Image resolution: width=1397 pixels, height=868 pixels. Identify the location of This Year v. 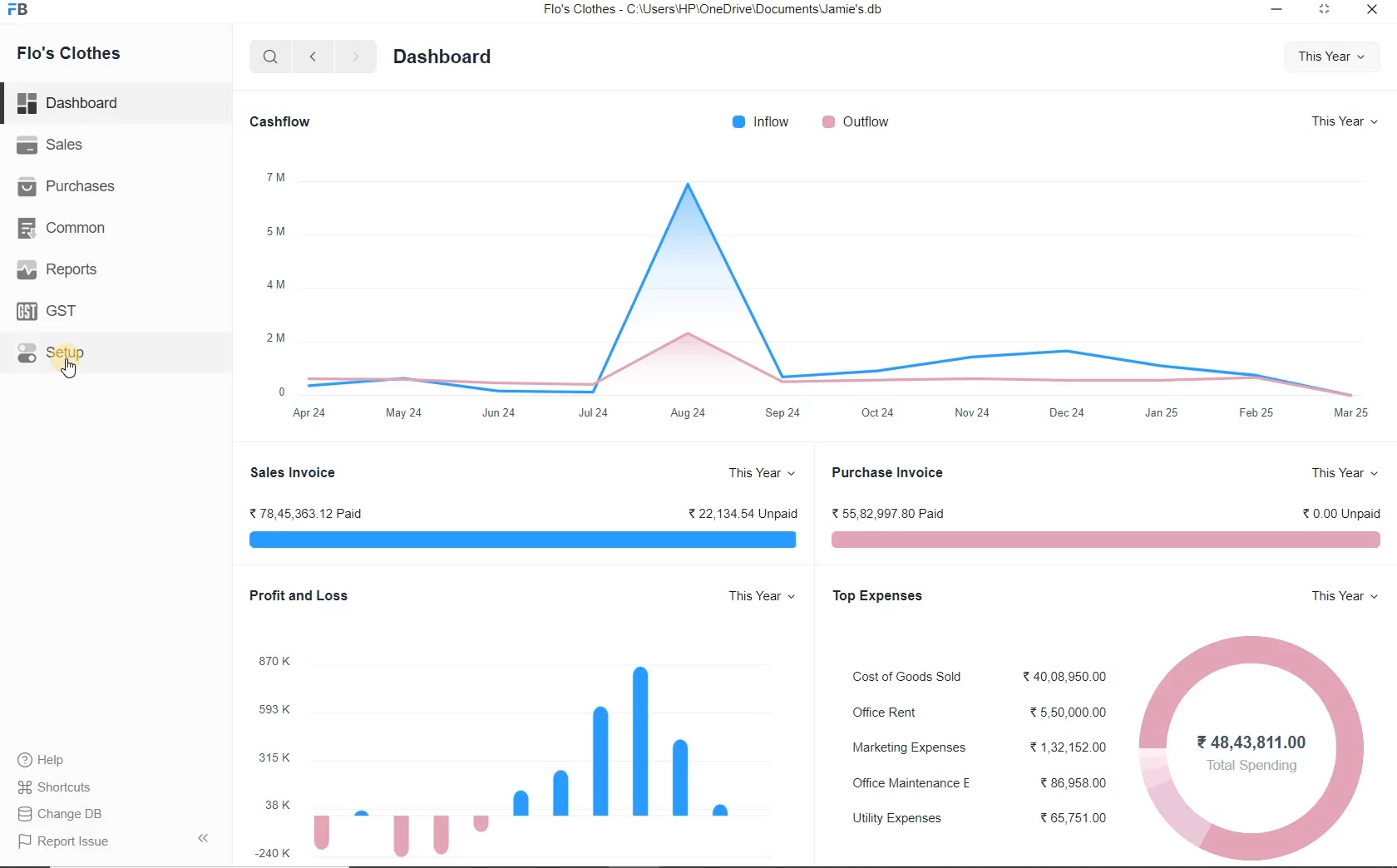
(1329, 57).